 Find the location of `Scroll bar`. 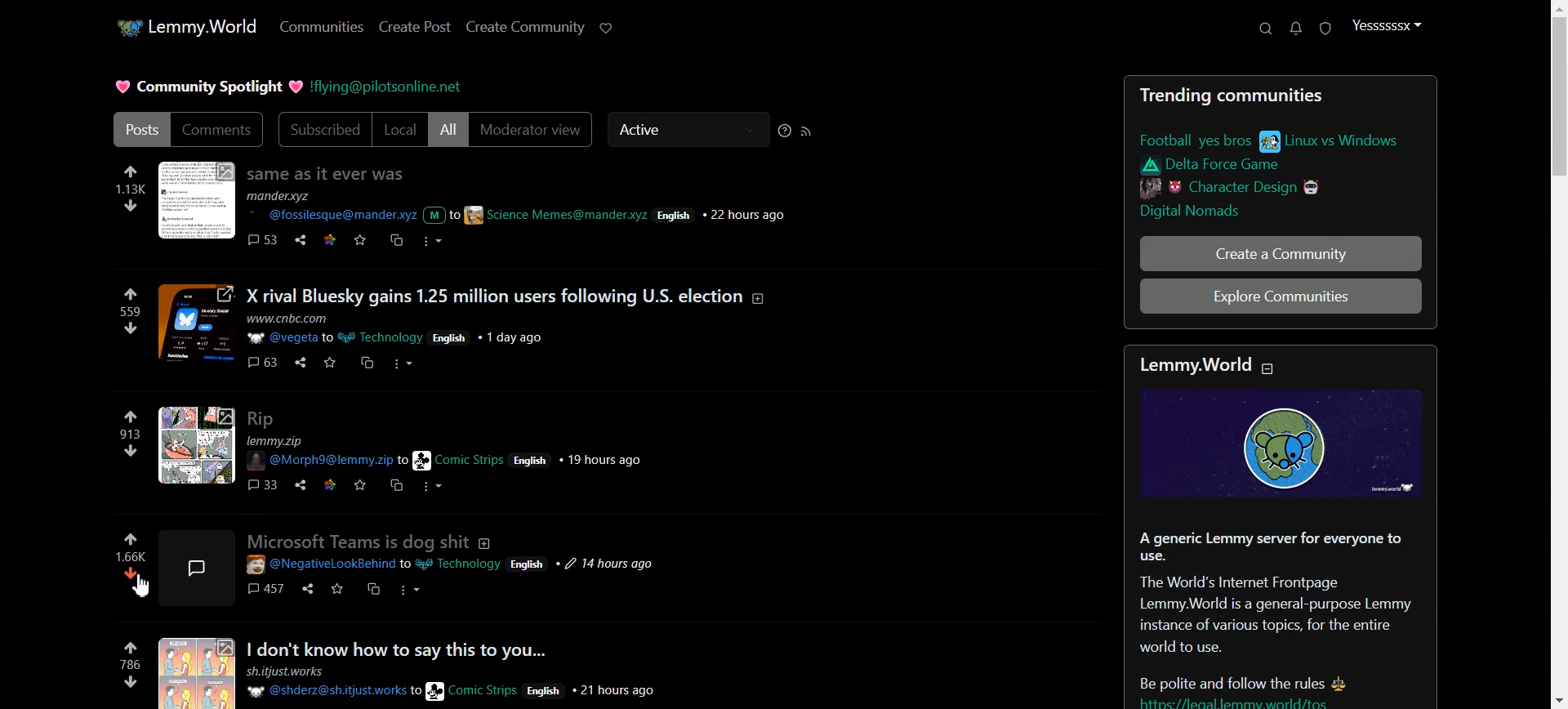

Scroll bar is located at coordinates (1555, 354).